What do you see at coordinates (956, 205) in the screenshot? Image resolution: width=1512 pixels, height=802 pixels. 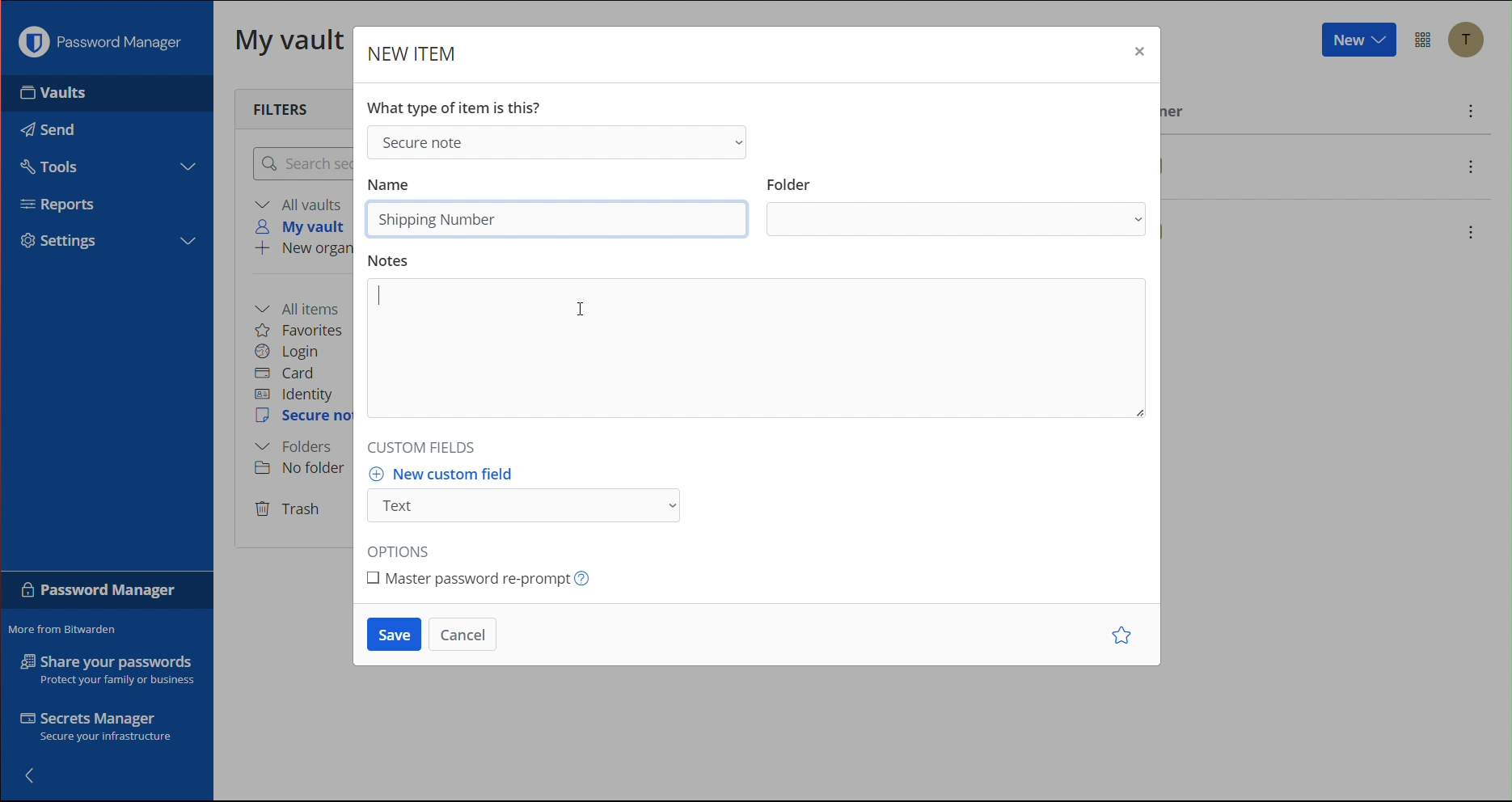 I see `Folder` at bounding box center [956, 205].